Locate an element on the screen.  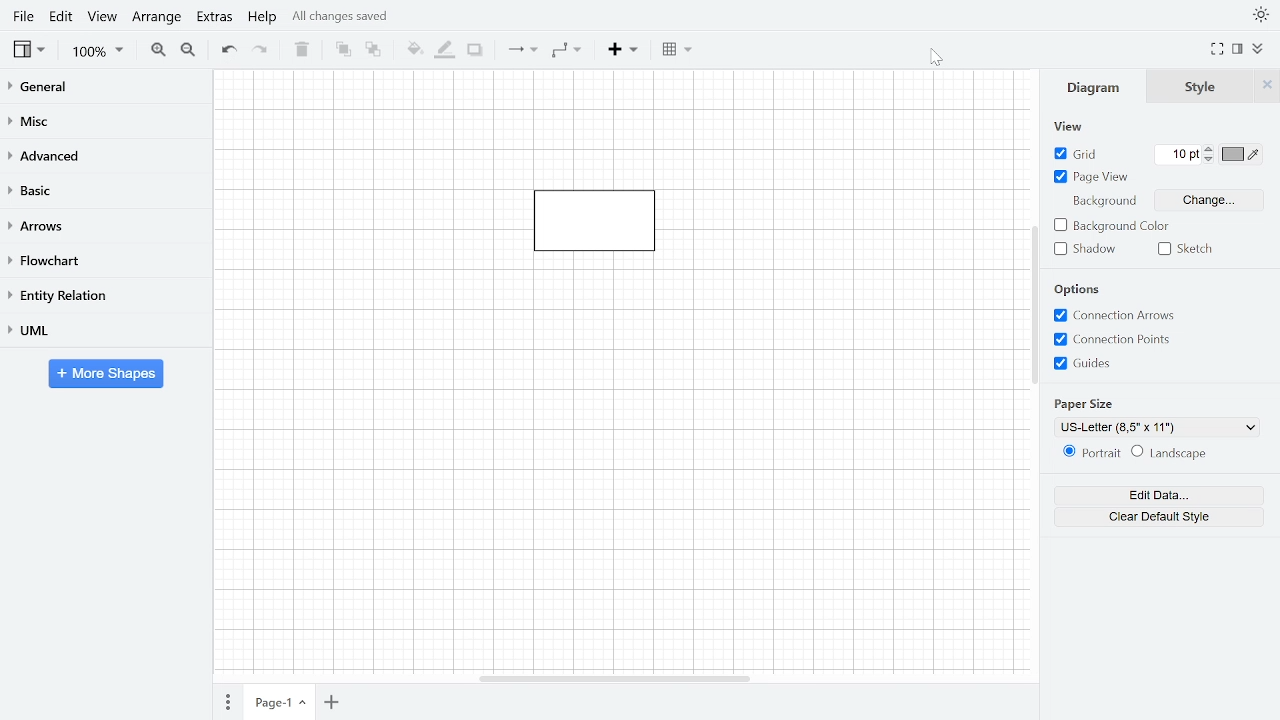
Shadow is located at coordinates (1086, 250).